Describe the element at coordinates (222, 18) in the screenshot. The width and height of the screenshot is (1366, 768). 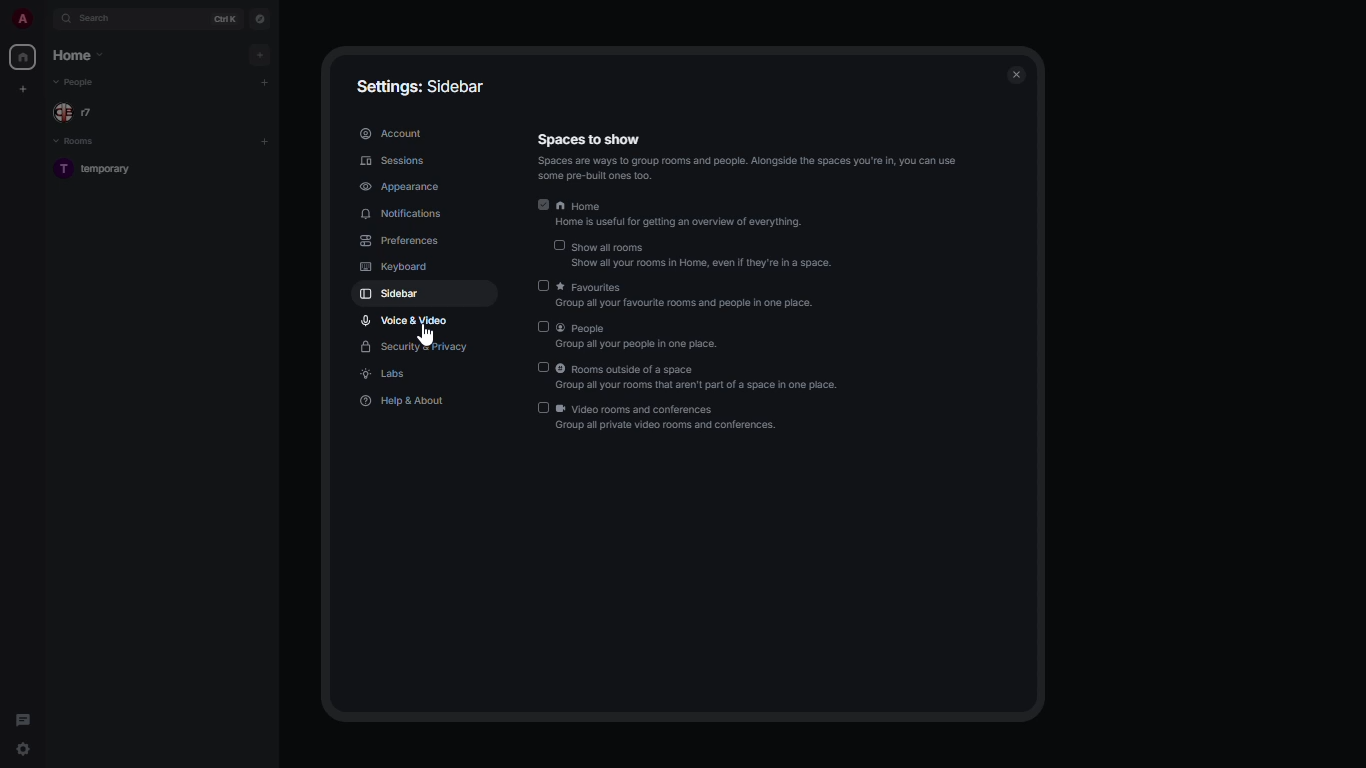
I see `ctrl K` at that location.